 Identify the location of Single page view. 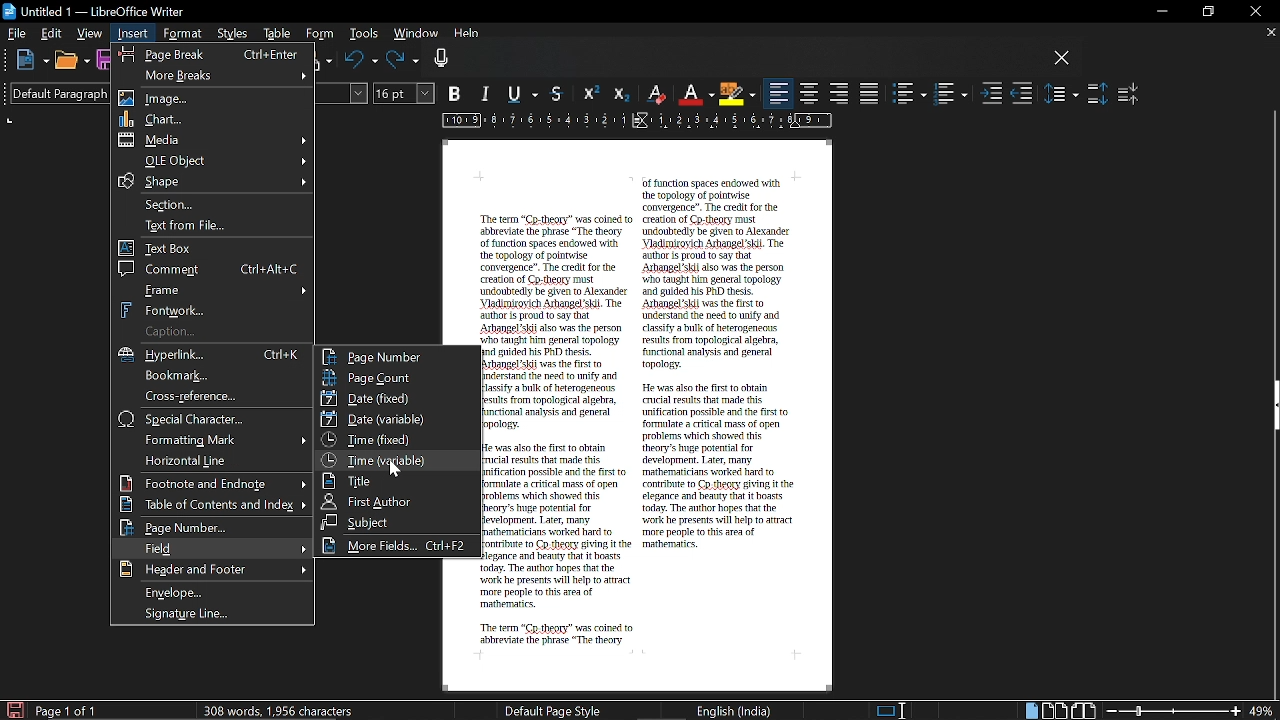
(1030, 711).